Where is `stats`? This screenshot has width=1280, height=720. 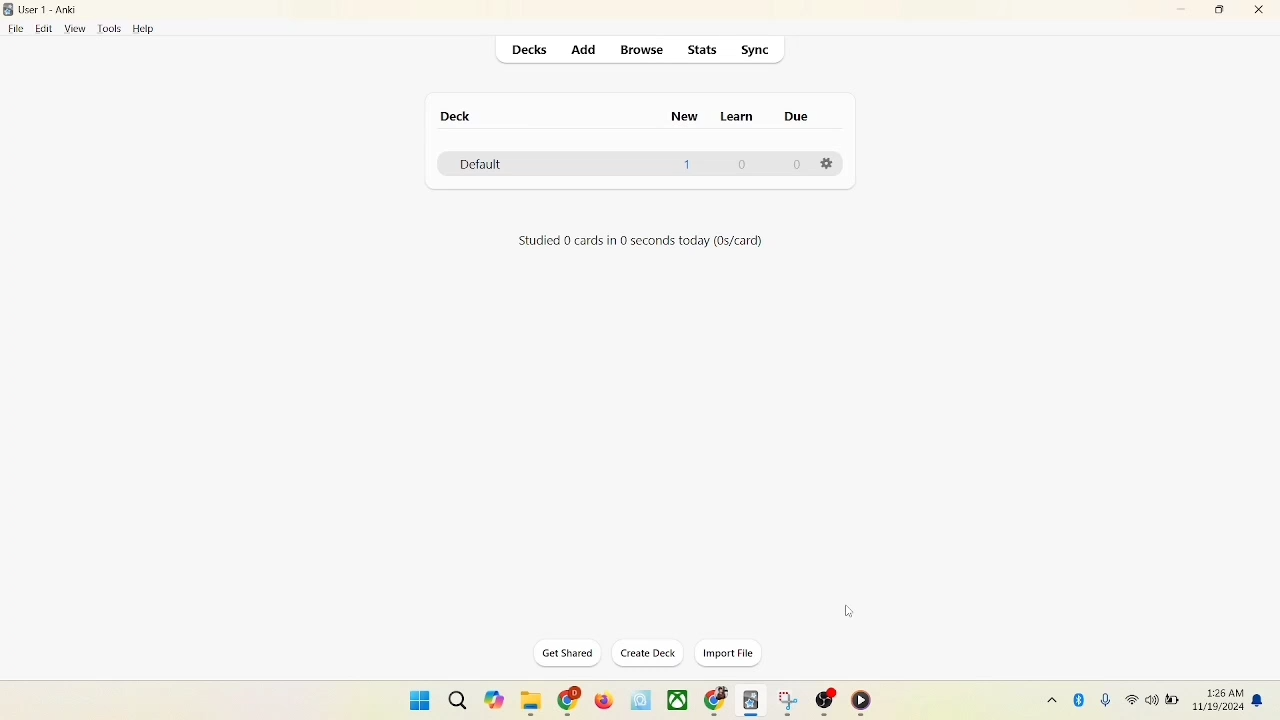 stats is located at coordinates (704, 51).